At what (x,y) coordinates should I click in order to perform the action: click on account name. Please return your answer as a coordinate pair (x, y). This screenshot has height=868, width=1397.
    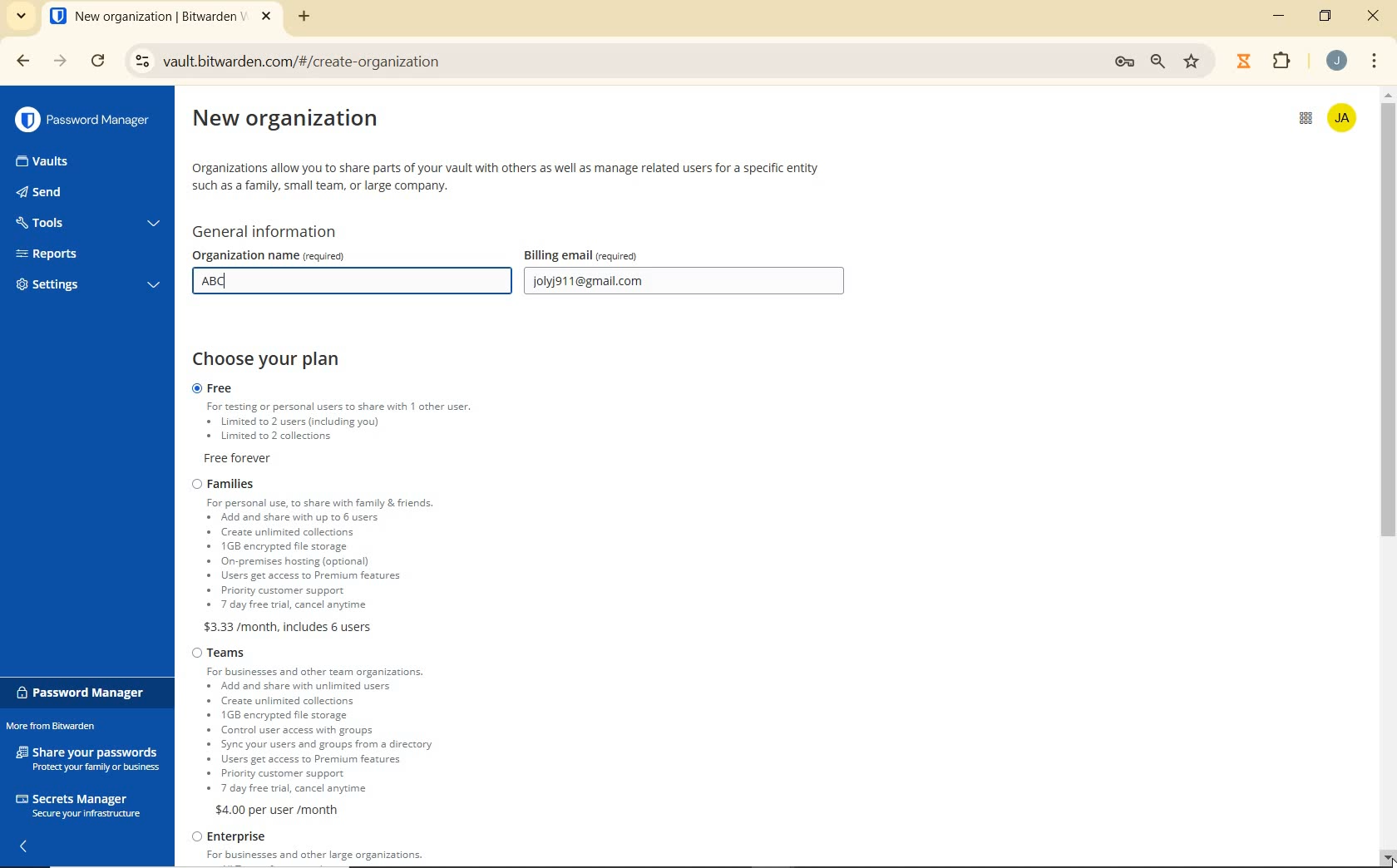
    Looking at the image, I should click on (1345, 116).